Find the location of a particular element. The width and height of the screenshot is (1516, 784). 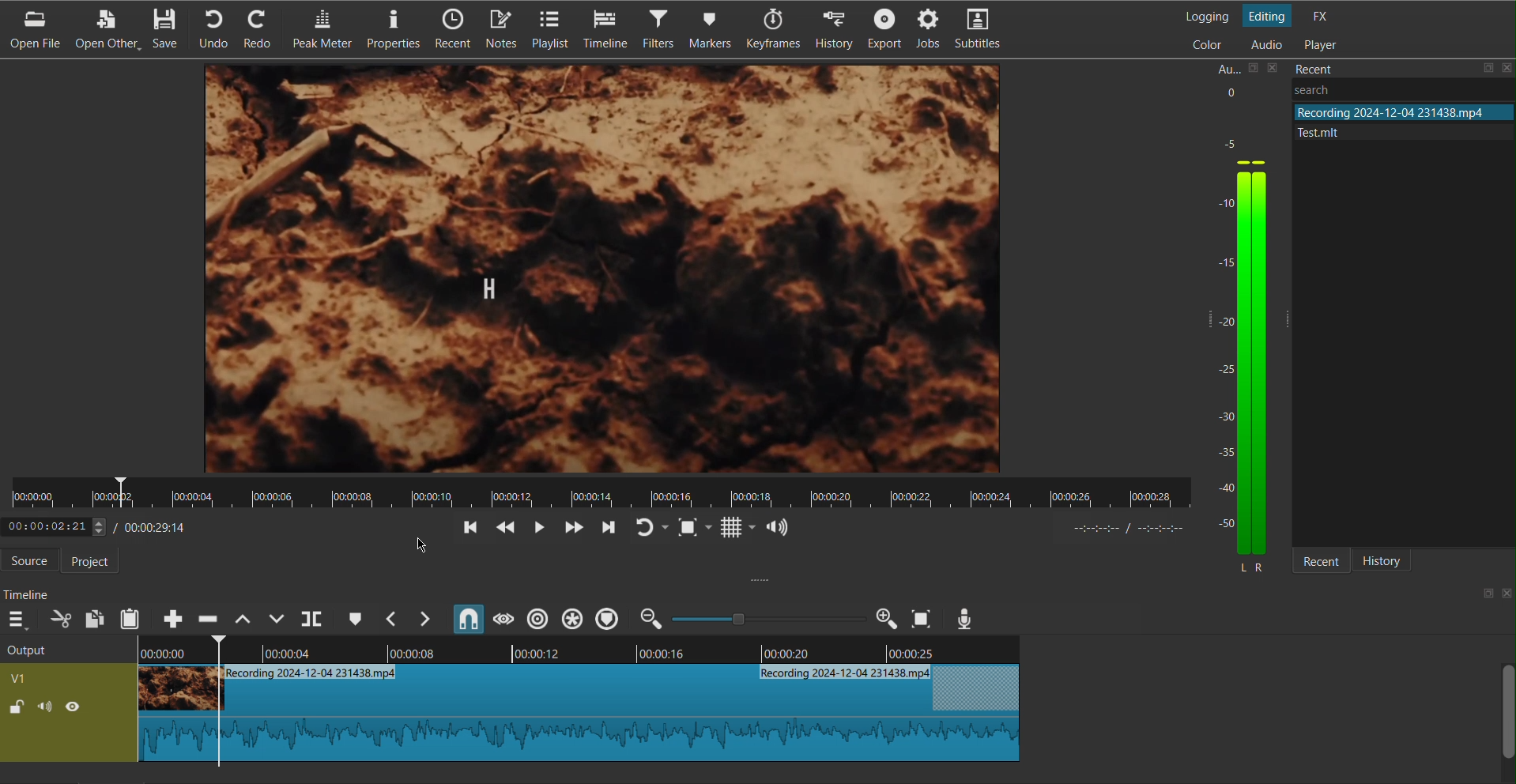

zoom out is located at coordinates (652, 618).